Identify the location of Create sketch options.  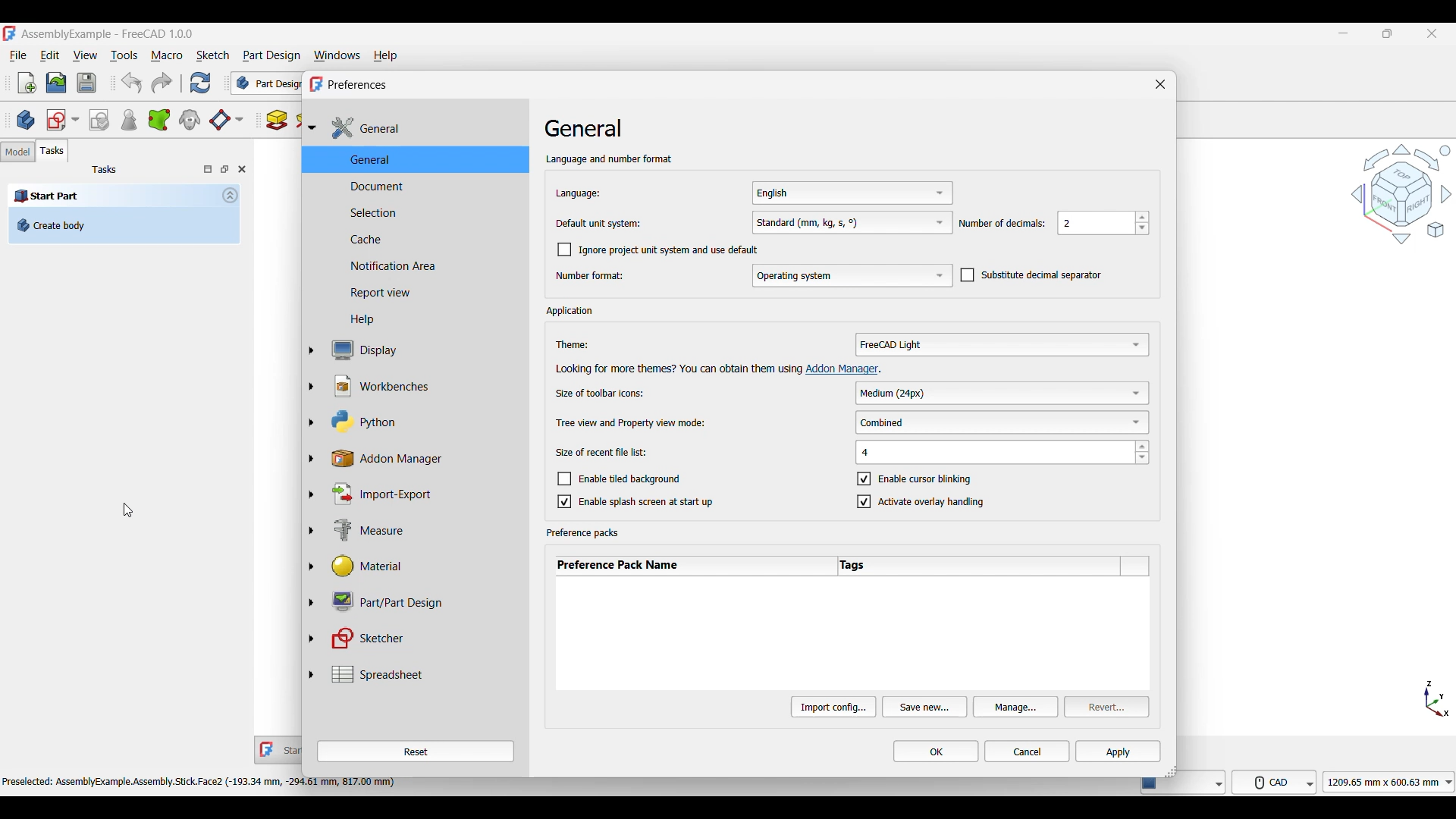
(63, 121).